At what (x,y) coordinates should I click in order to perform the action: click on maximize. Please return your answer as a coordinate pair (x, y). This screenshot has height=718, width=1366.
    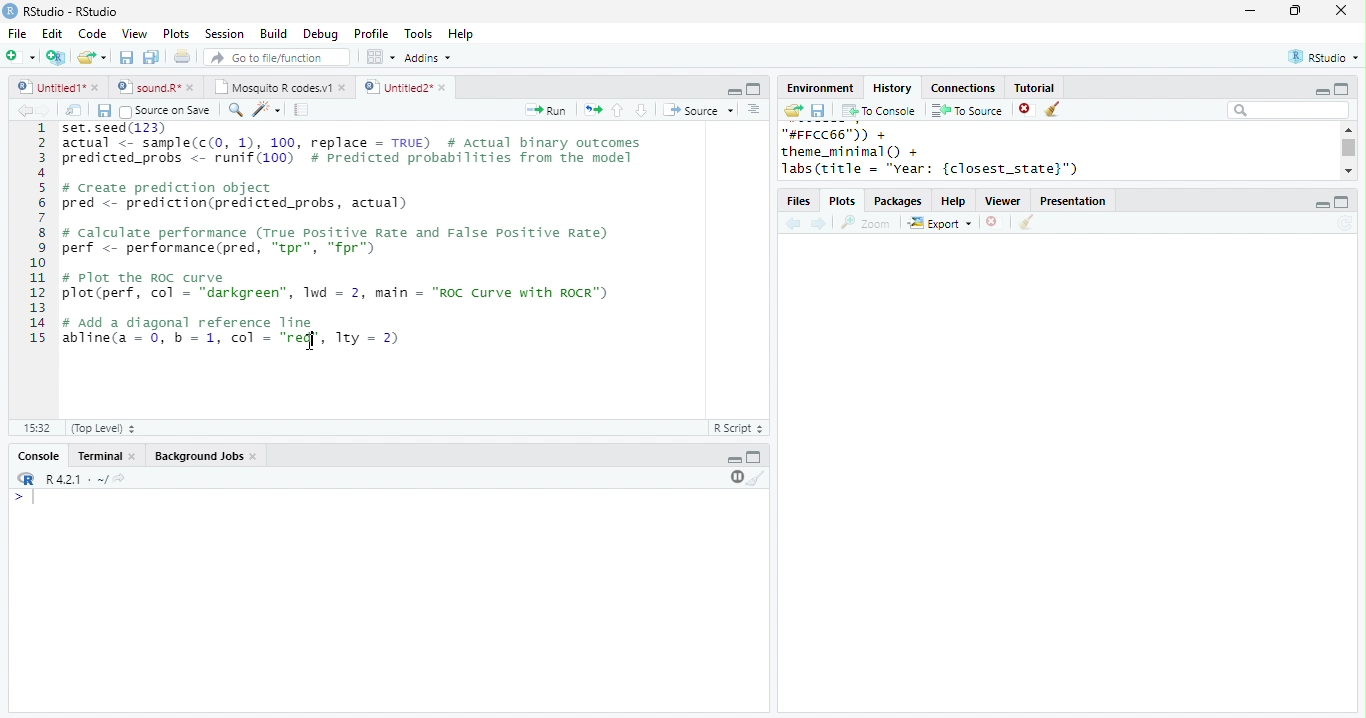
    Looking at the image, I should click on (754, 456).